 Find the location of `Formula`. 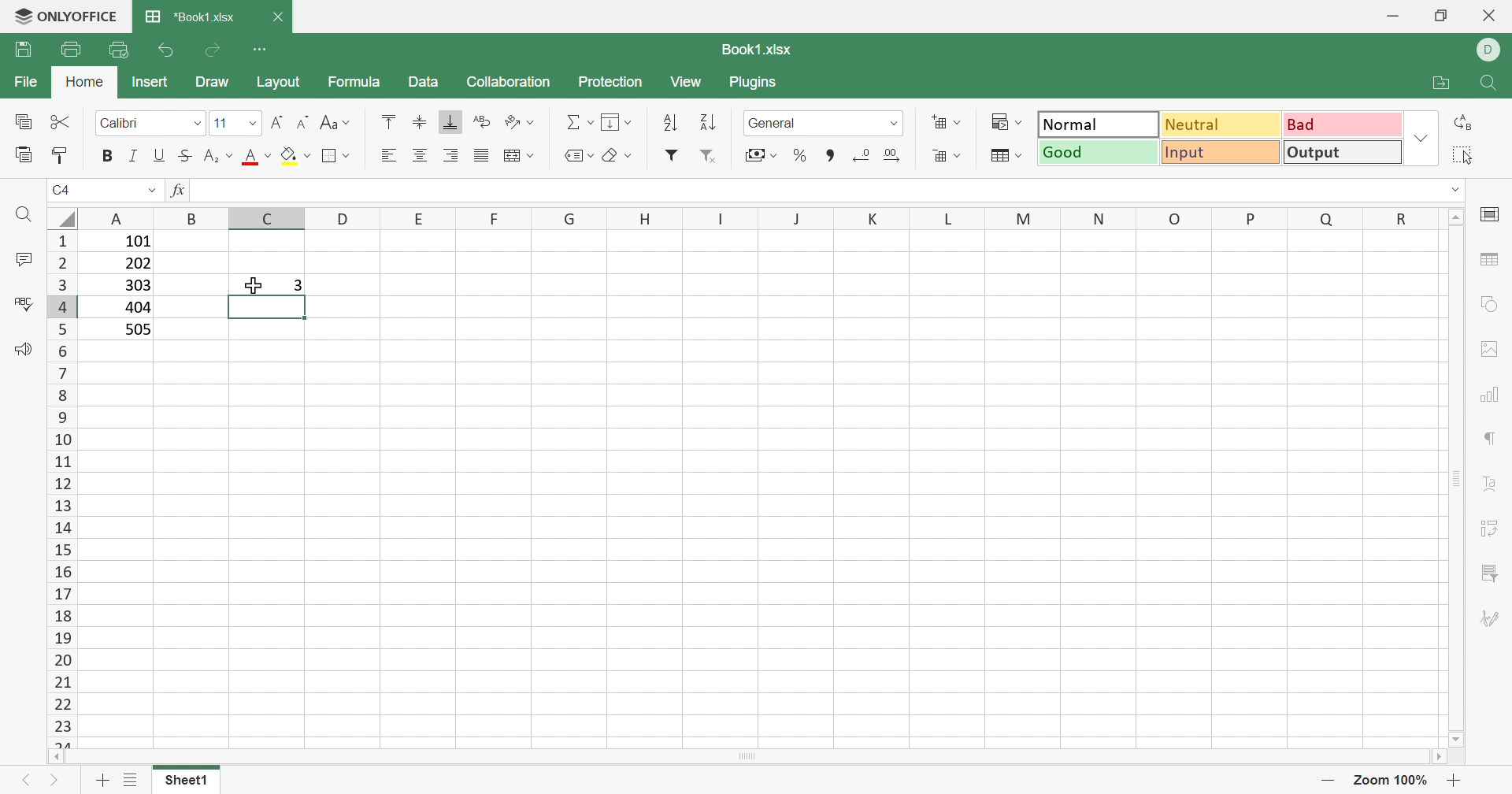

Formula is located at coordinates (355, 80).